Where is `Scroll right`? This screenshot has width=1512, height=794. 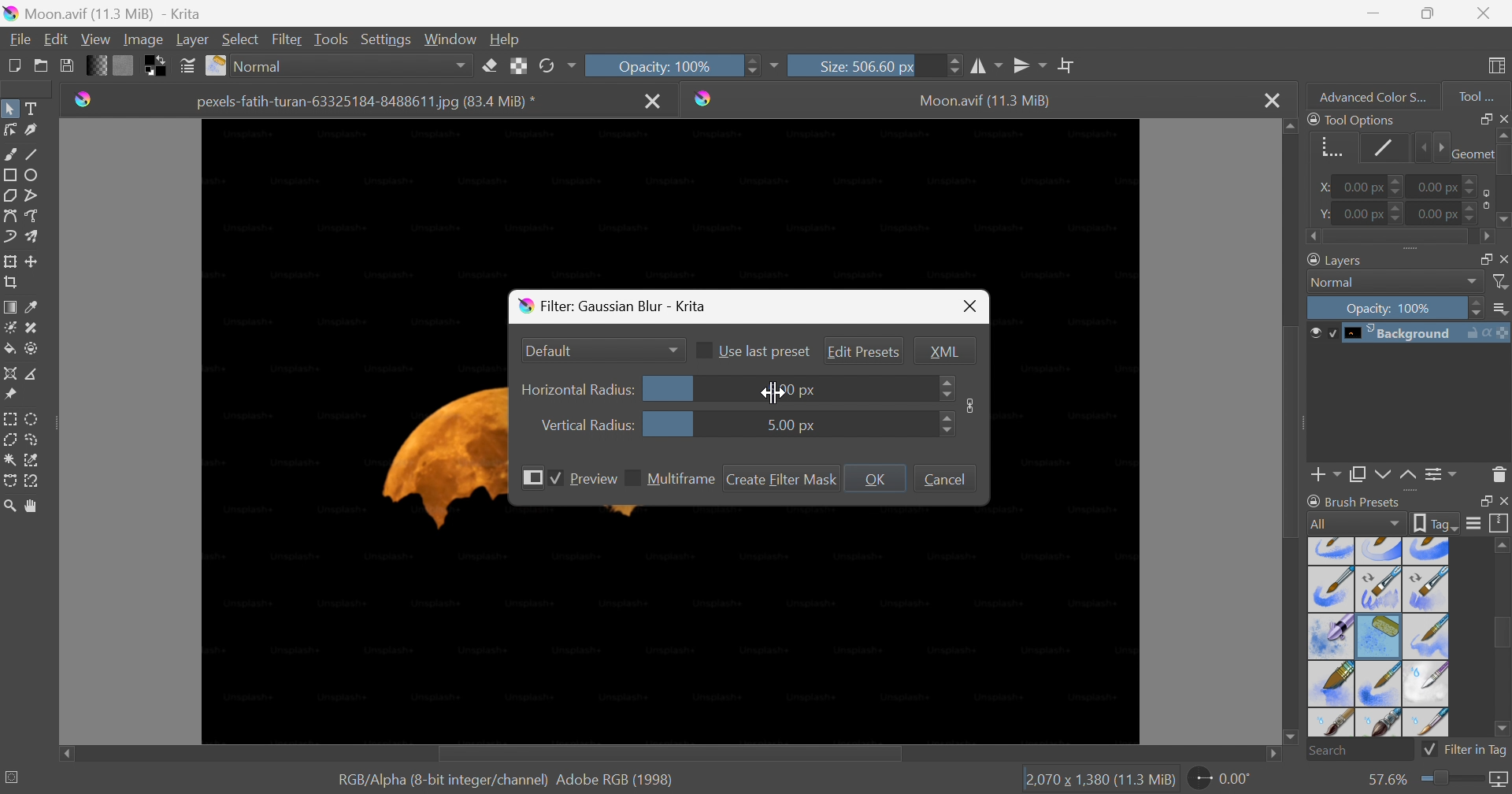 Scroll right is located at coordinates (1486, 237).